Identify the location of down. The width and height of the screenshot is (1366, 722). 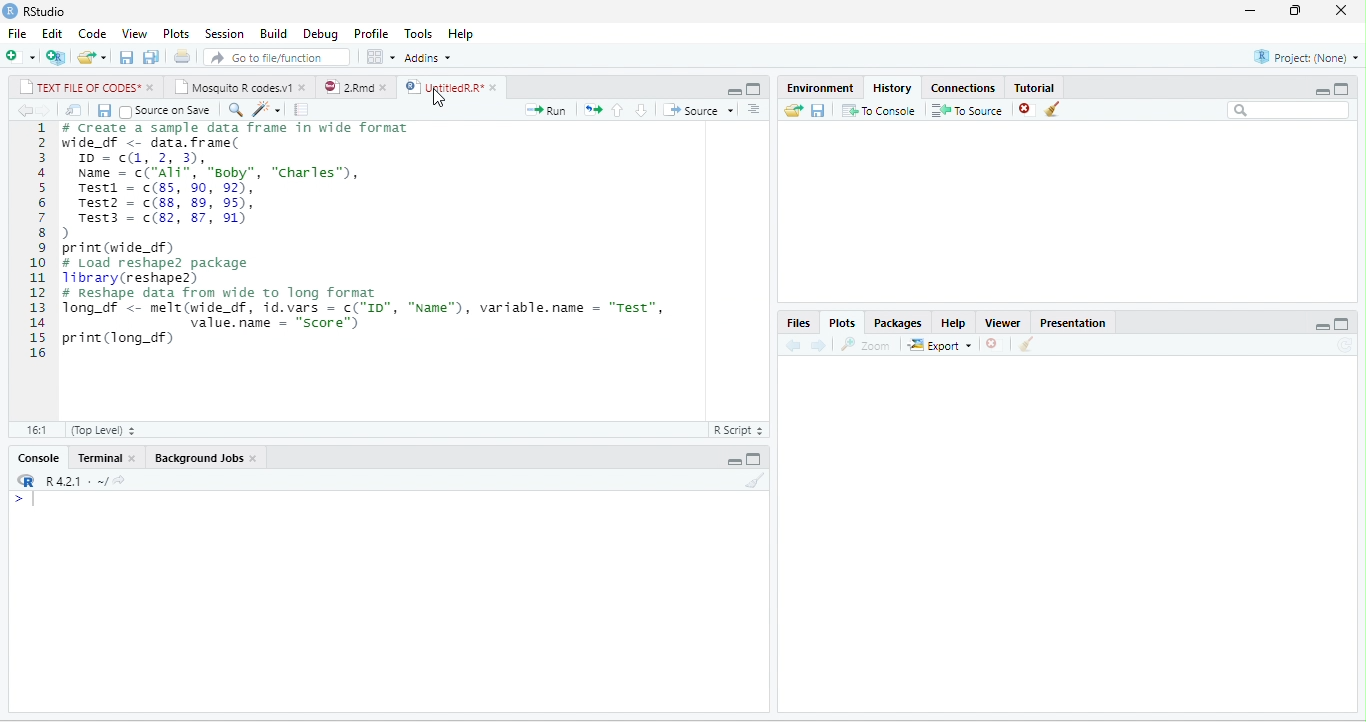
(642, 110).